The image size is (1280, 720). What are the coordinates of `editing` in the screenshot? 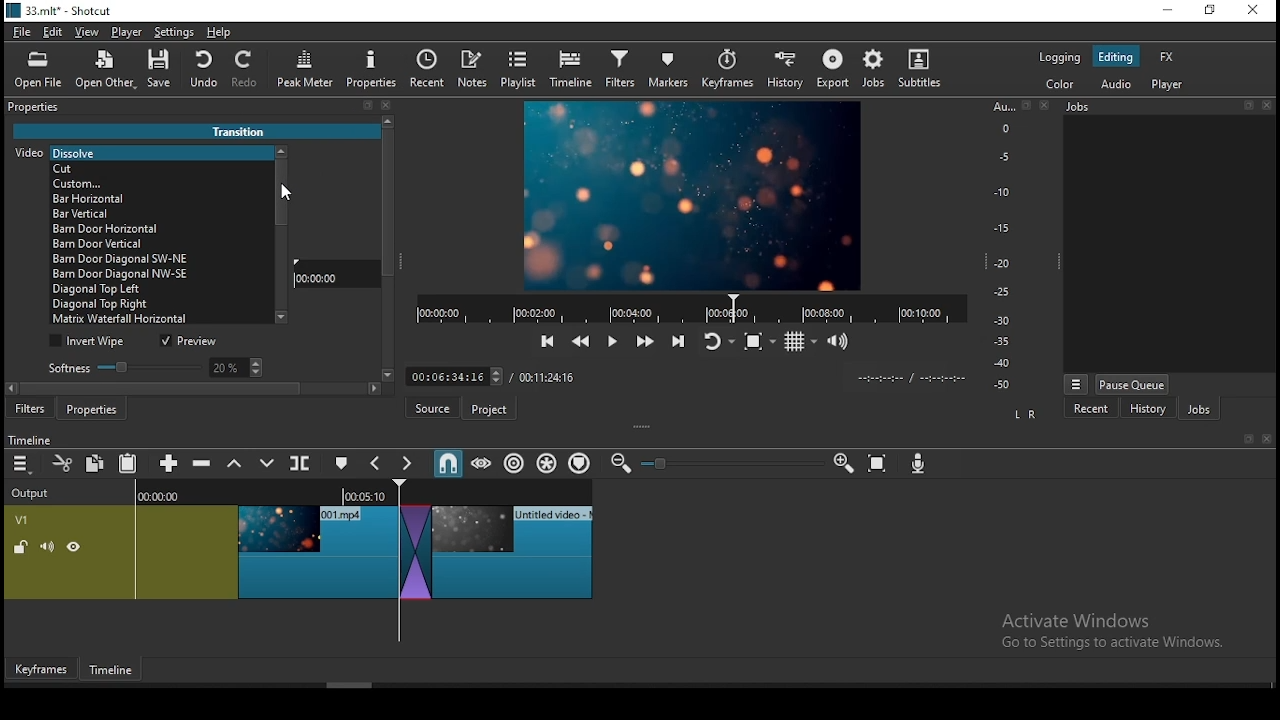 It's located at (1116, 58).